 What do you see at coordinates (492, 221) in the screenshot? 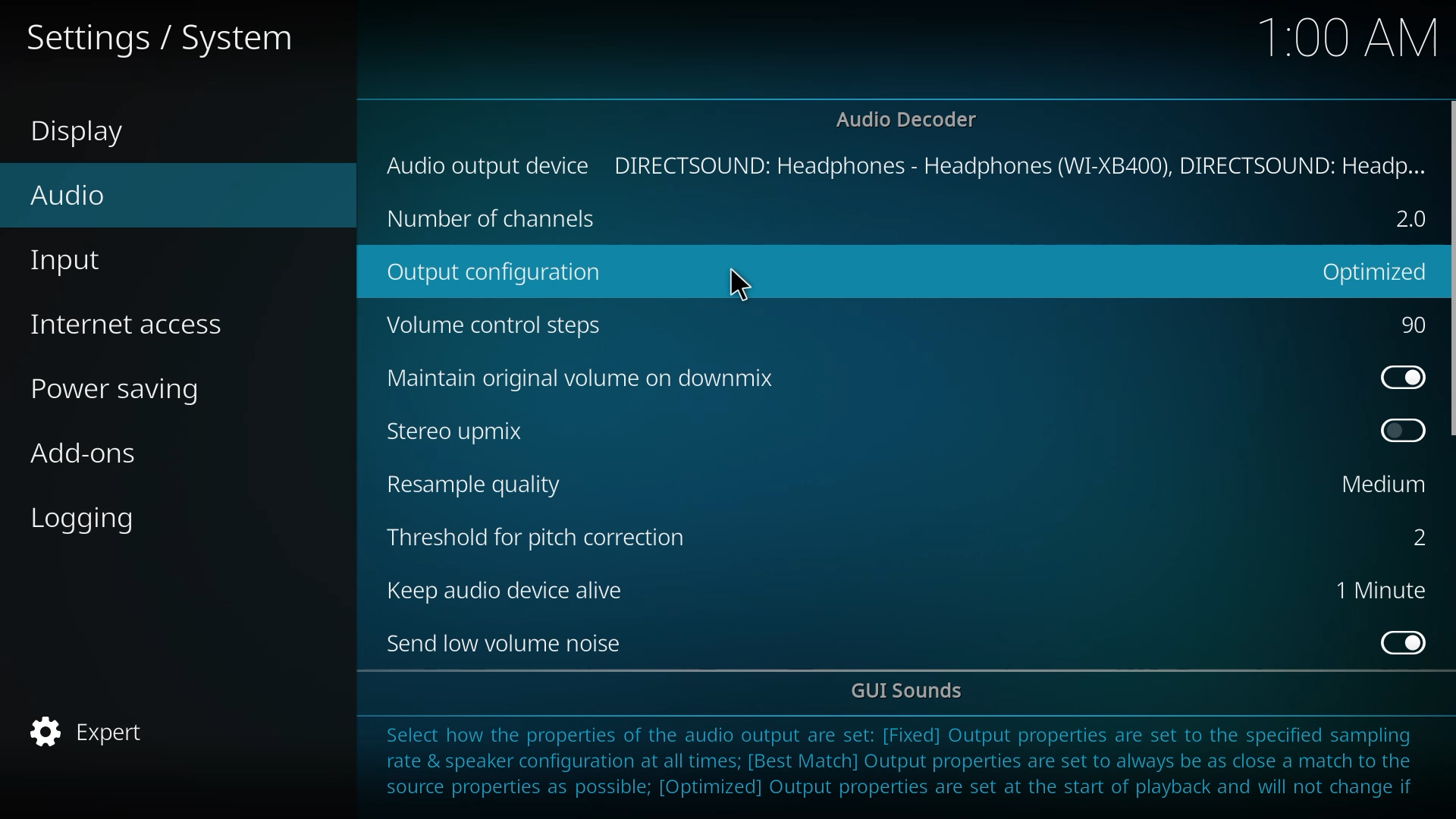
I see `no of chanel` at bounding box center [492, 221].